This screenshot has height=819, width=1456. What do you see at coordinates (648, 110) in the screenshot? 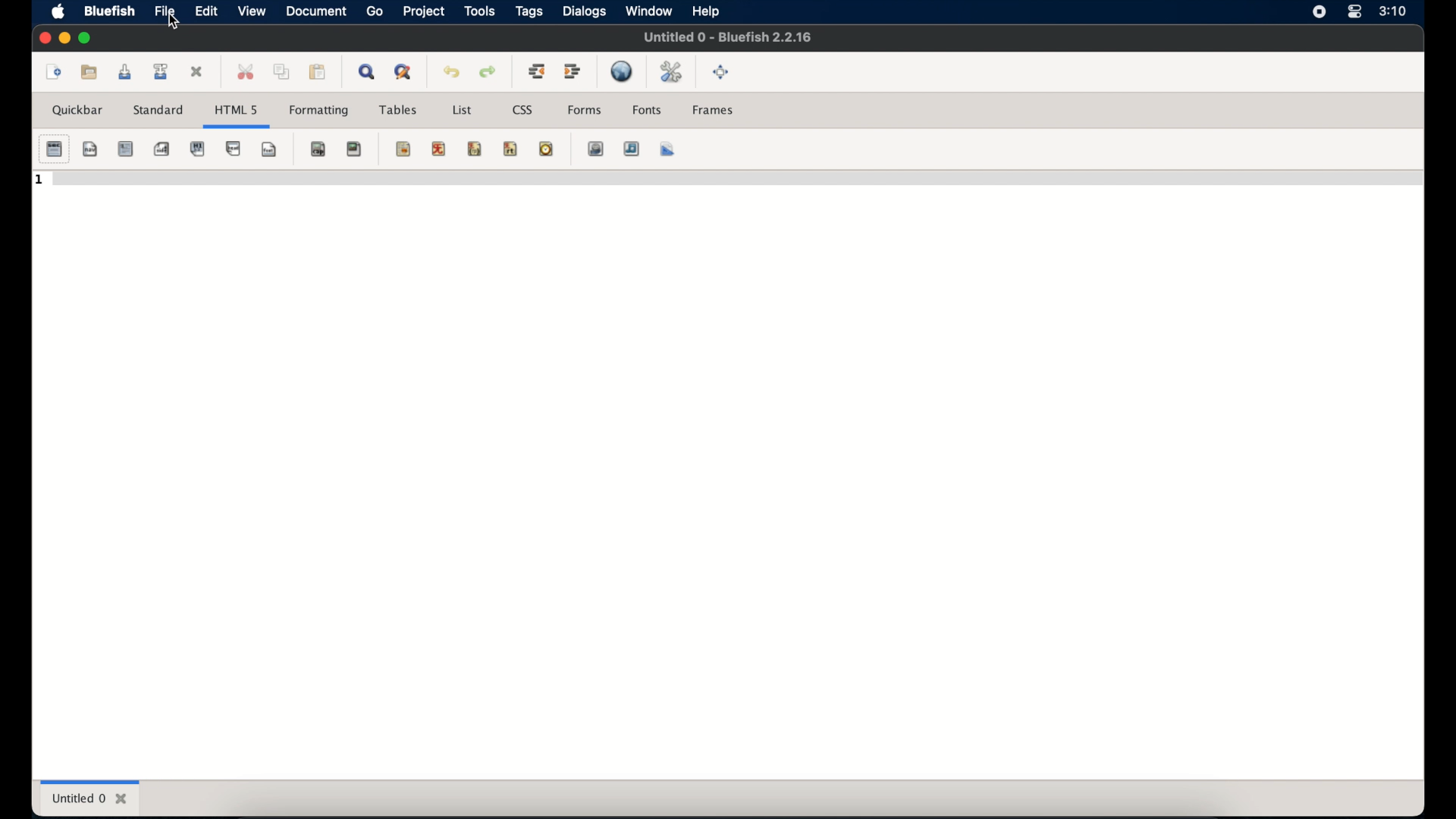
I see `fonts` at bounding box center [648, 110].